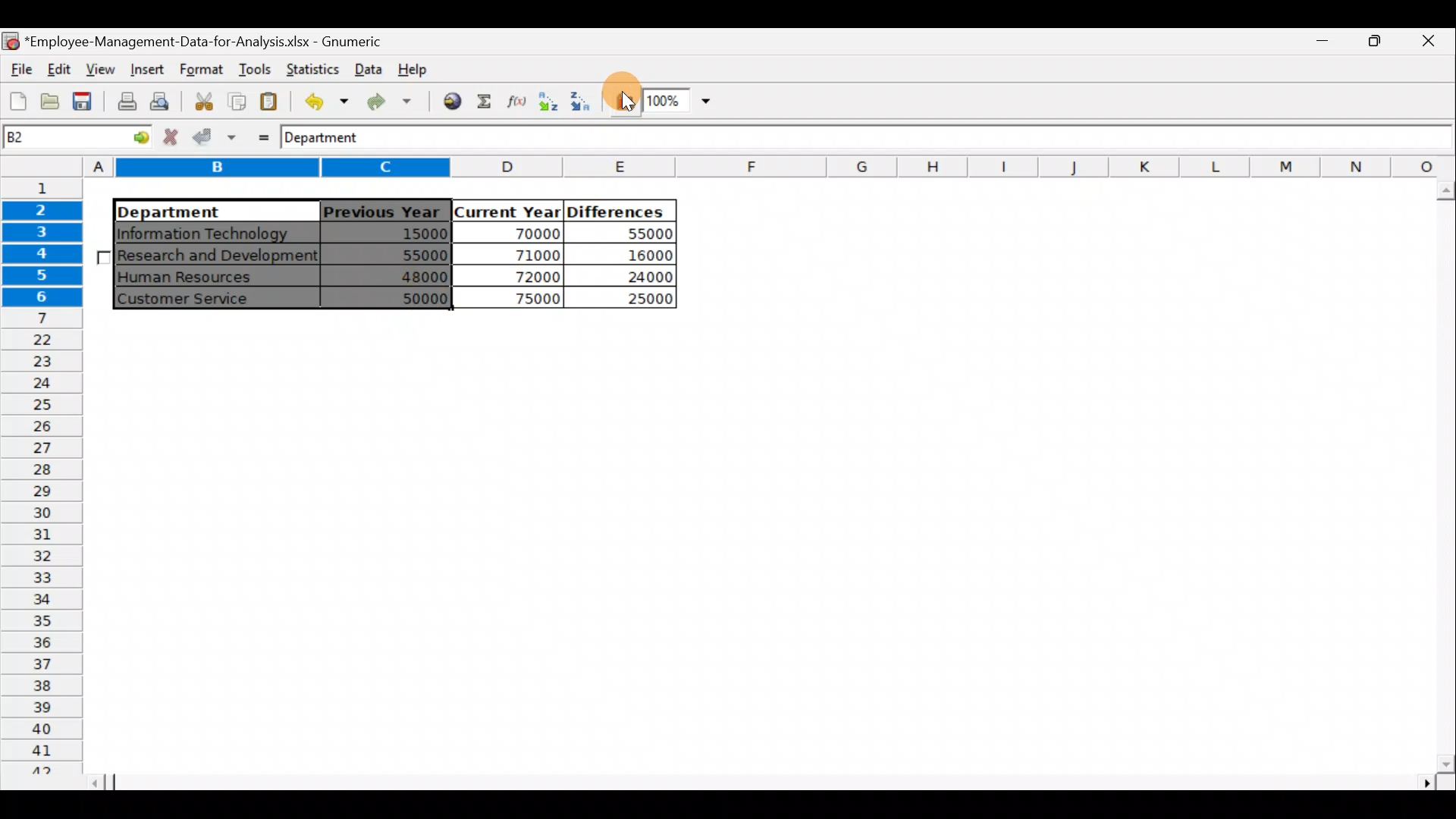 This screenshot has width=1456, height=819. What do you see at coordinates (368, 67) in the screenshot?
I see `Data` at bounding box center [368, 67].